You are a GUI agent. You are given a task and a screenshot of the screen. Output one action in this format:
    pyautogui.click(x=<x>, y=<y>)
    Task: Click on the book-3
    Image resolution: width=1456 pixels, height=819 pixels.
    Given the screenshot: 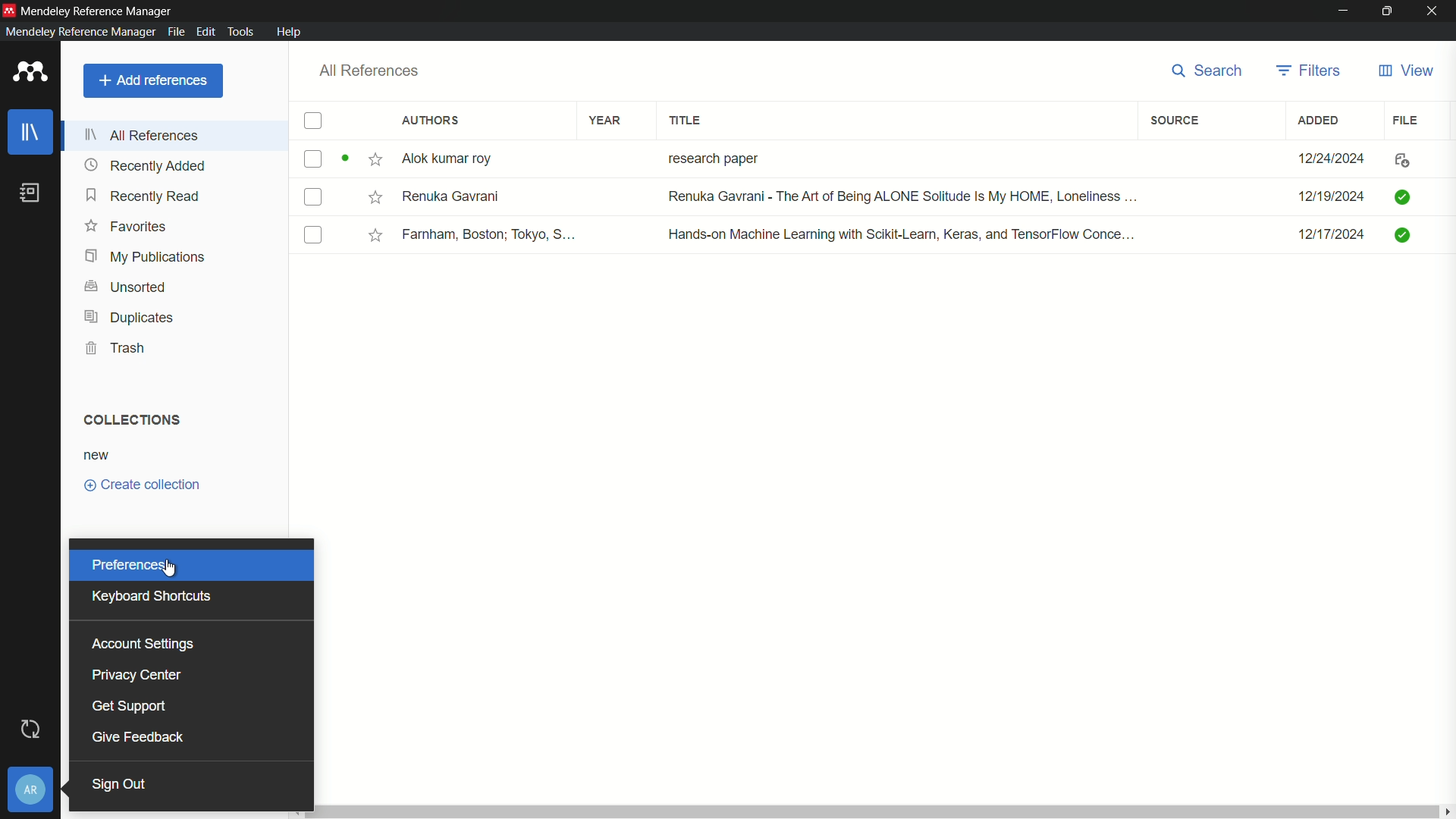 What is the action you would take?
    pyautogui.click(x=915, y=234)
    